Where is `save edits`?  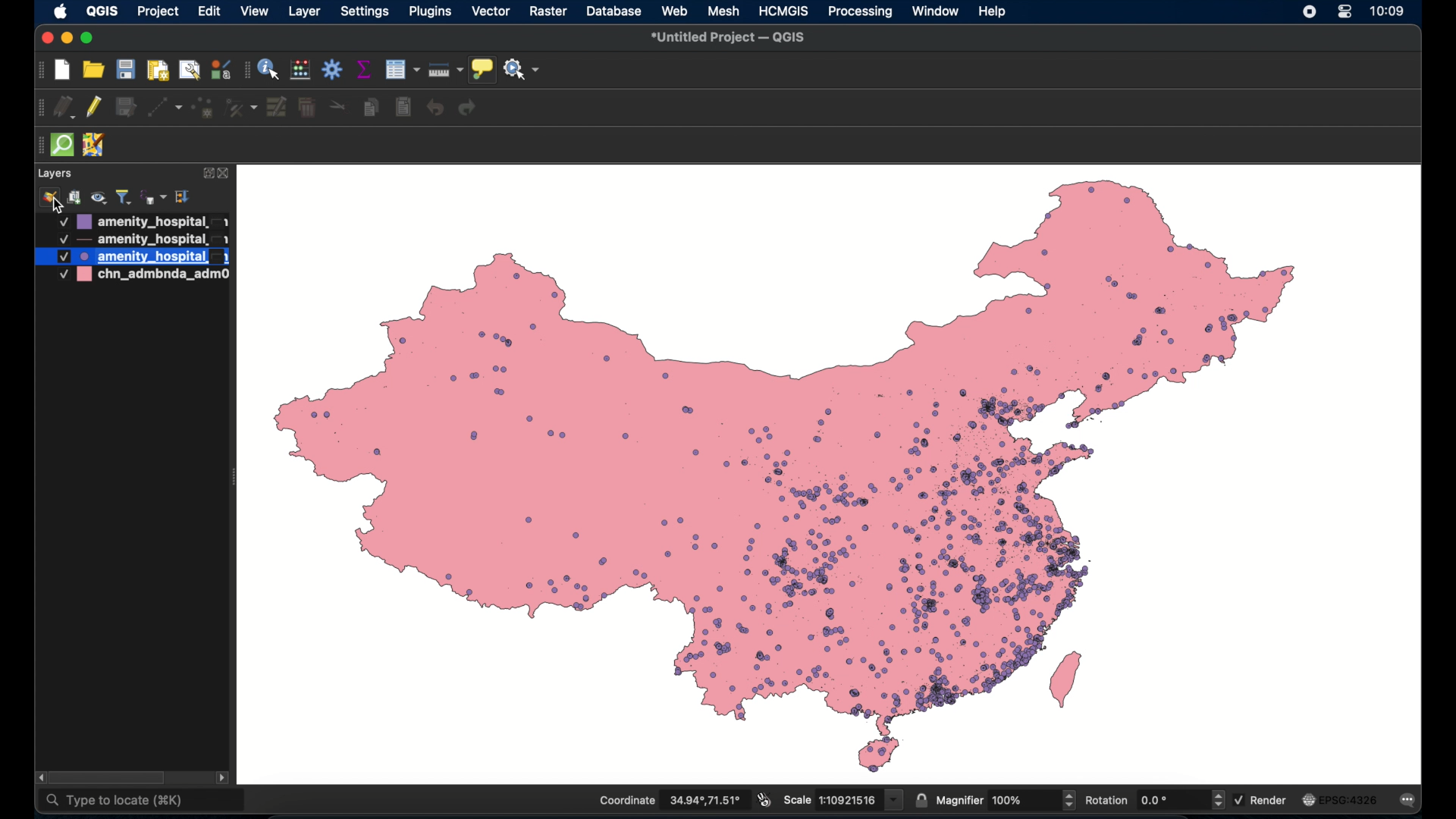 save edits is located at coordinates (127, 108).